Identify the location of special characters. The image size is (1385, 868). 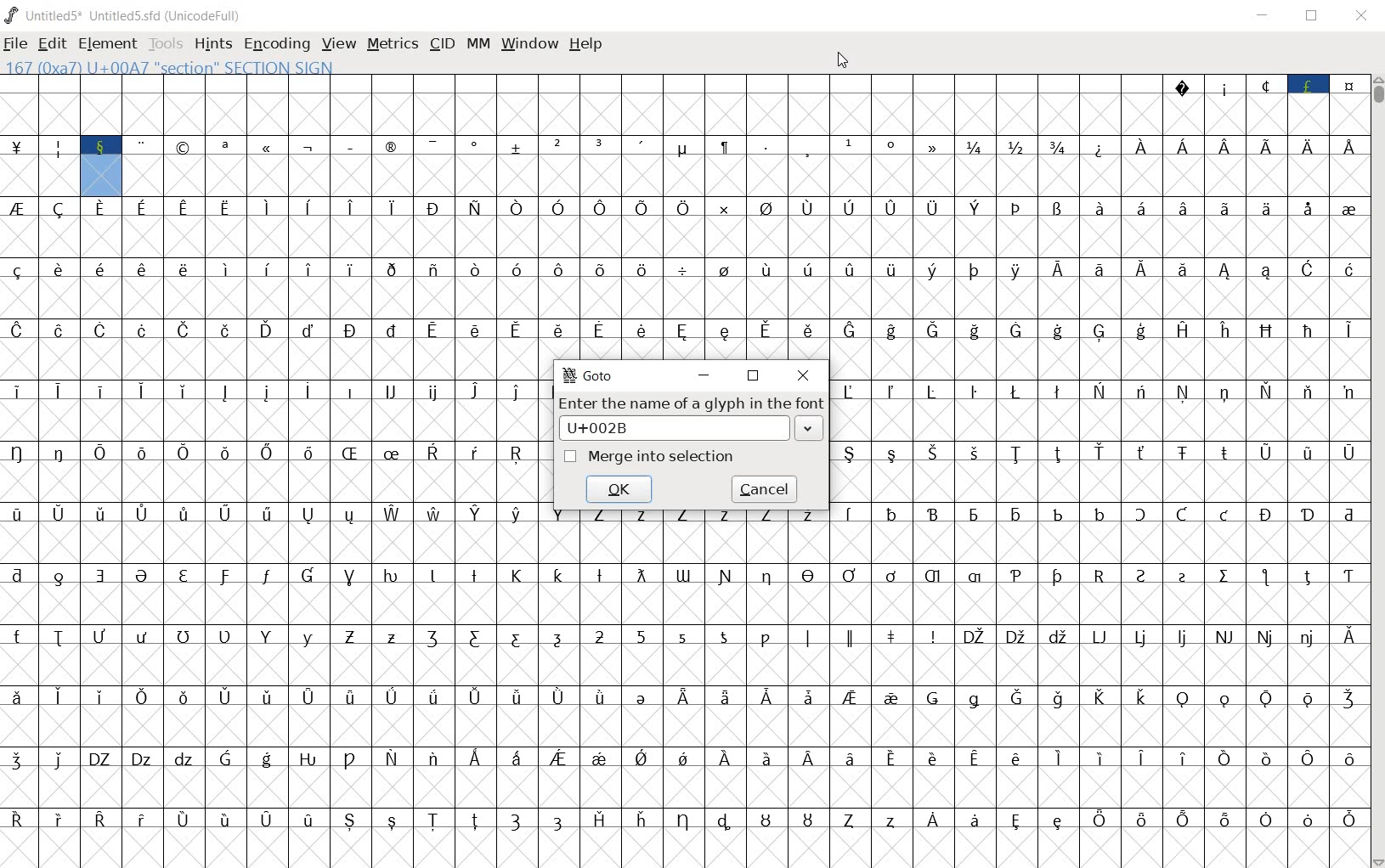
(1097, 718).